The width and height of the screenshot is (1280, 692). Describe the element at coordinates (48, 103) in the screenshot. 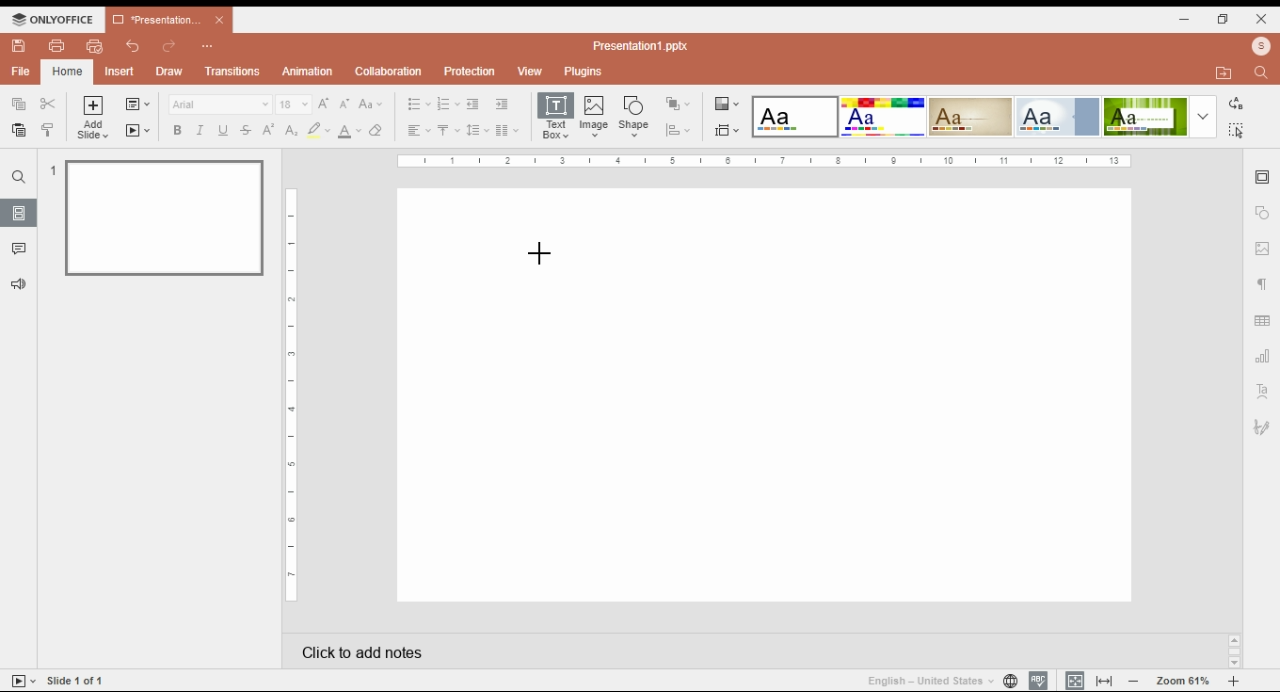

I see `cut` at that location.